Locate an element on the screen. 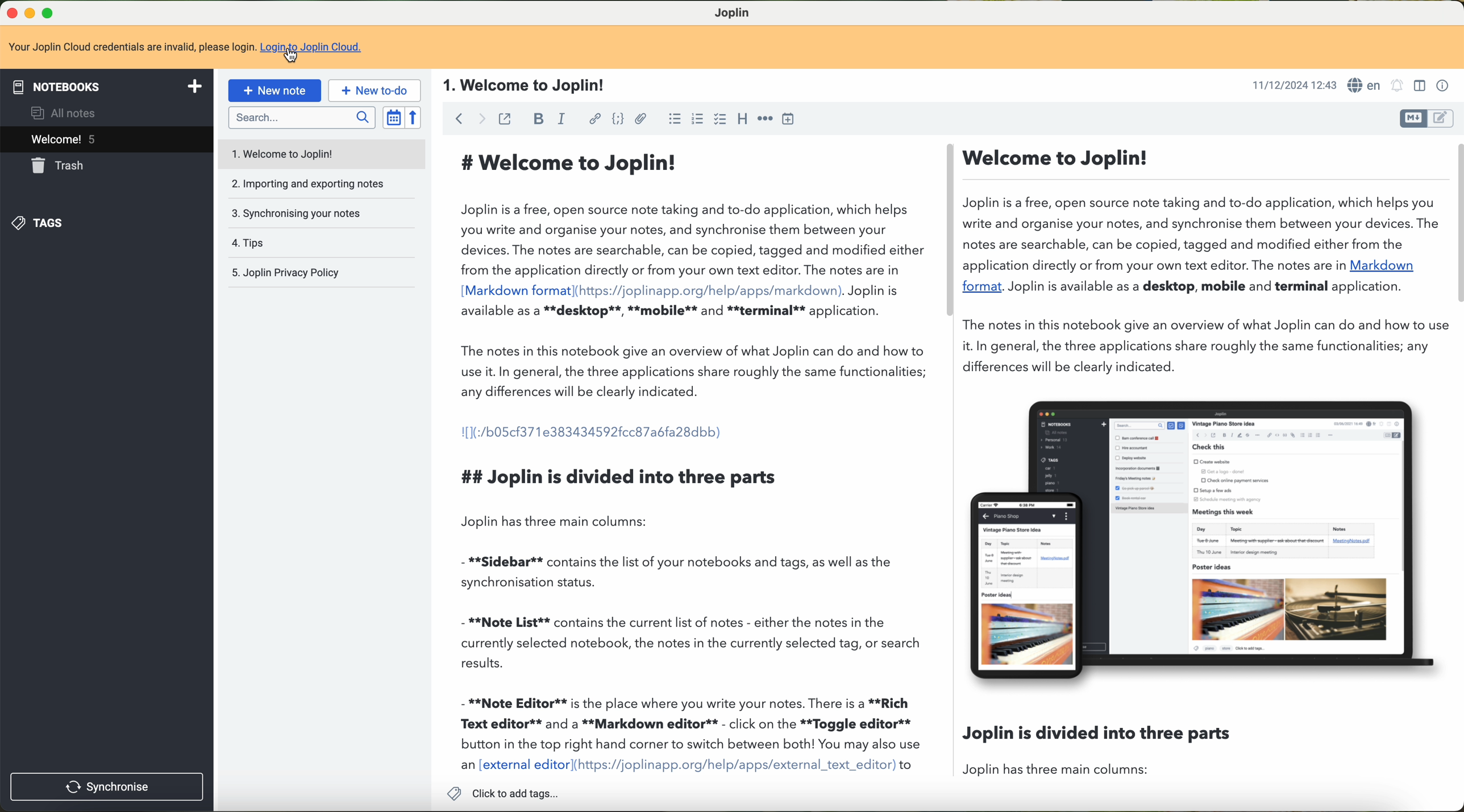 Image resolution: width=1464 pixels, height=812 pixels. info properties is located at coordinates (1445, 86).